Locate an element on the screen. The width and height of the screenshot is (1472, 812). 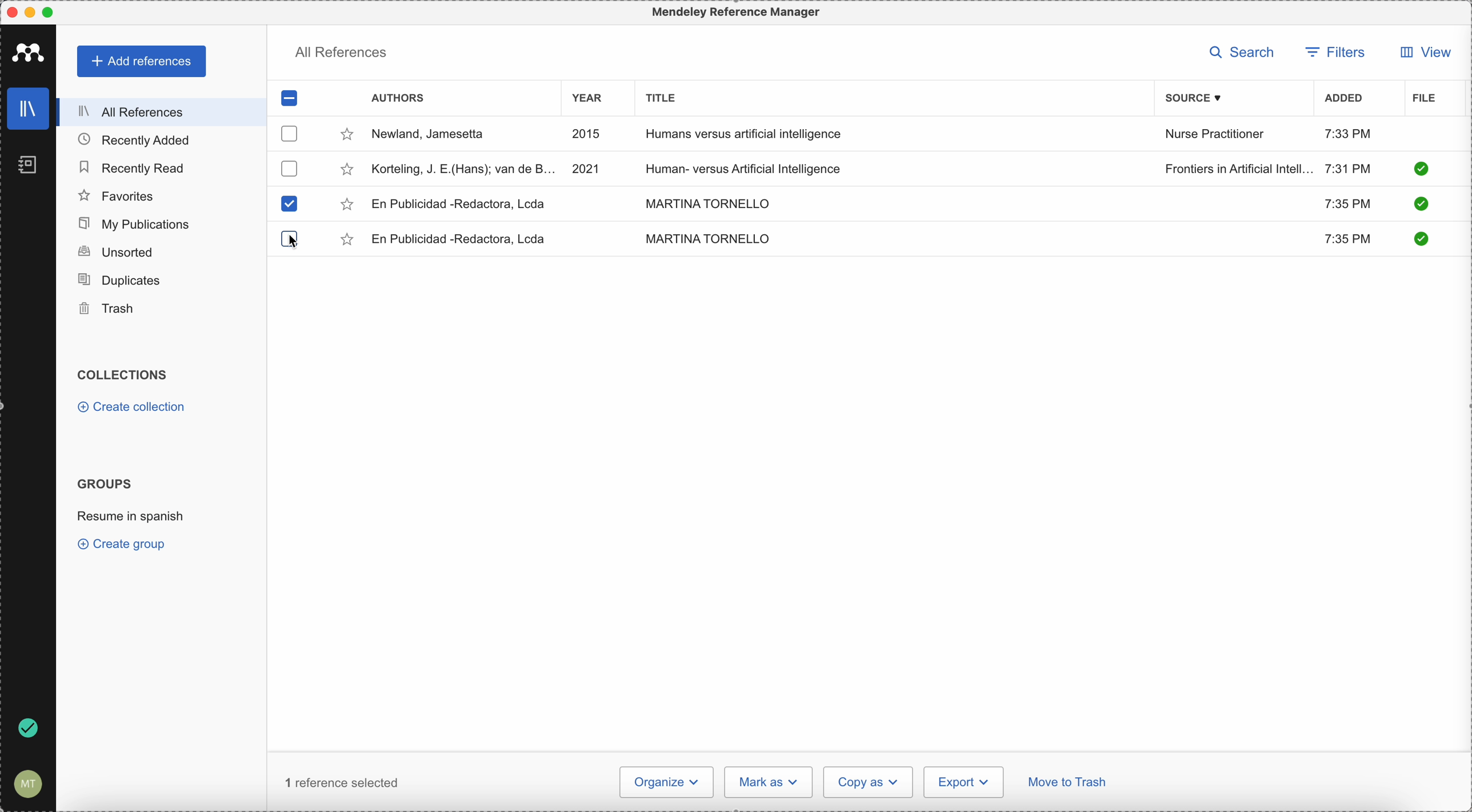
cursor is located at coordinates (294, 242).